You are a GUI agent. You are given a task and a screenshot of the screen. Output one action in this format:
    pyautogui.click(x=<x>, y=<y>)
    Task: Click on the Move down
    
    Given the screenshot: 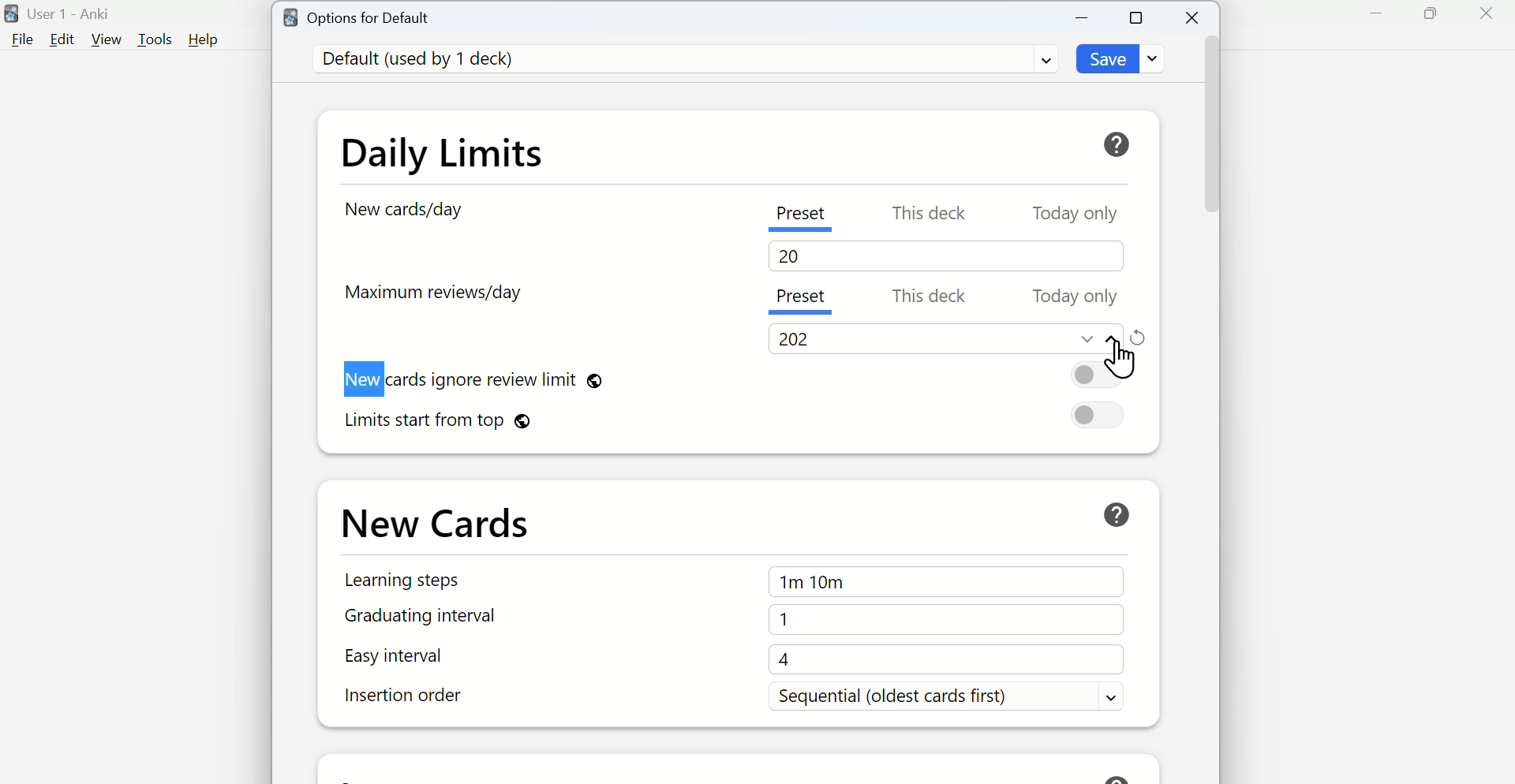 What is the action you would take?
    pyautogui.click(x=1087, y=338)
    